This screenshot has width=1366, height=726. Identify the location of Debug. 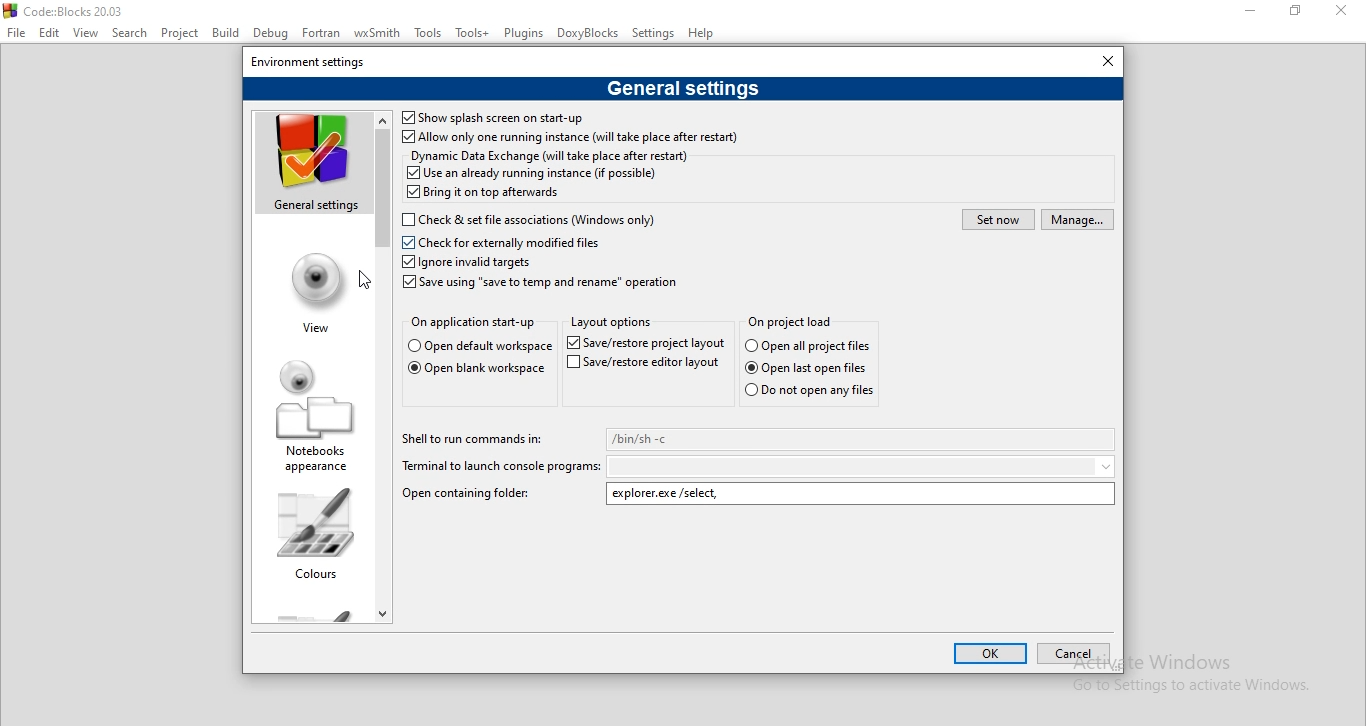
(269, 34).